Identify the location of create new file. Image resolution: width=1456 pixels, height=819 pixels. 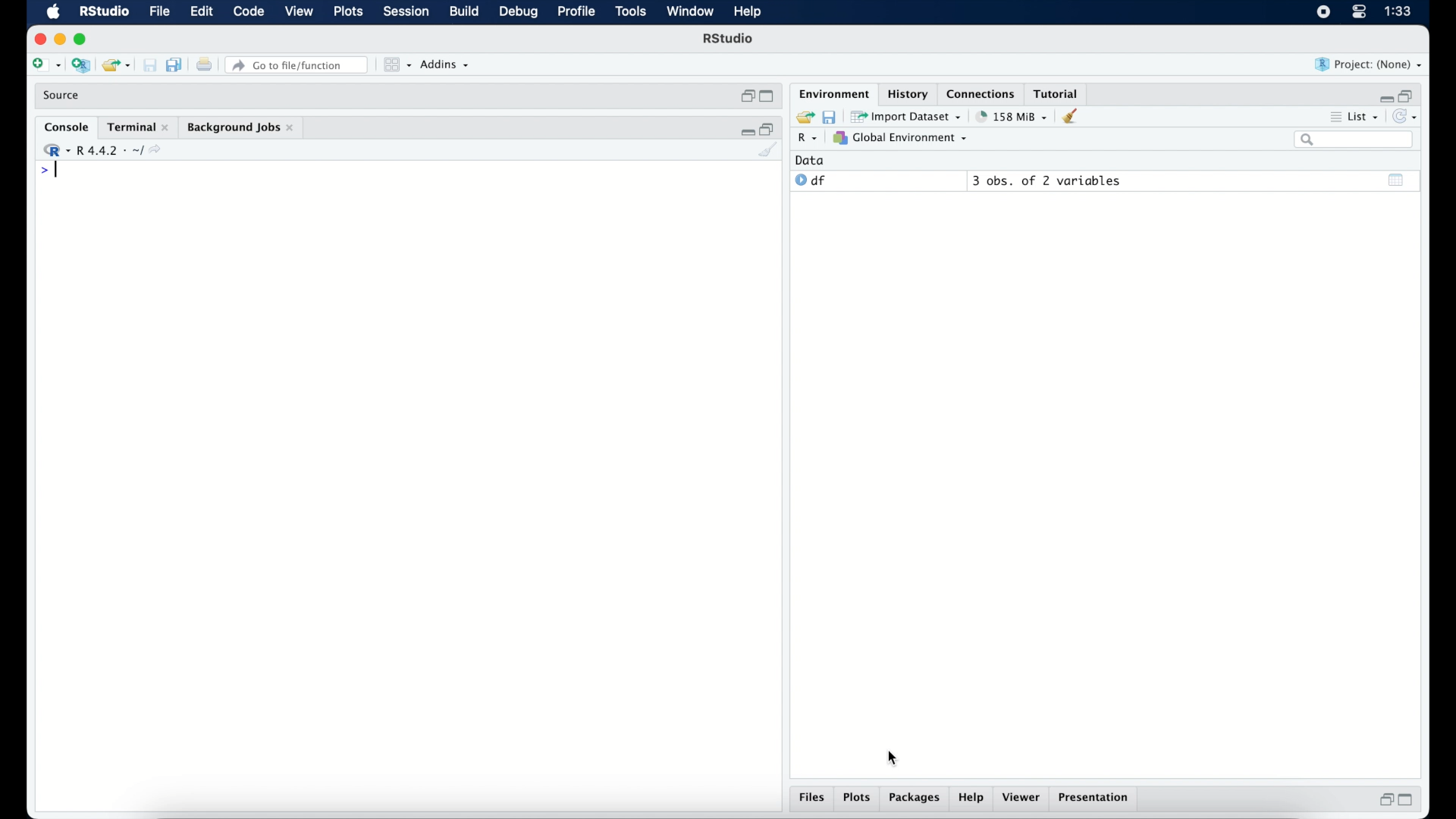
(45, 65).